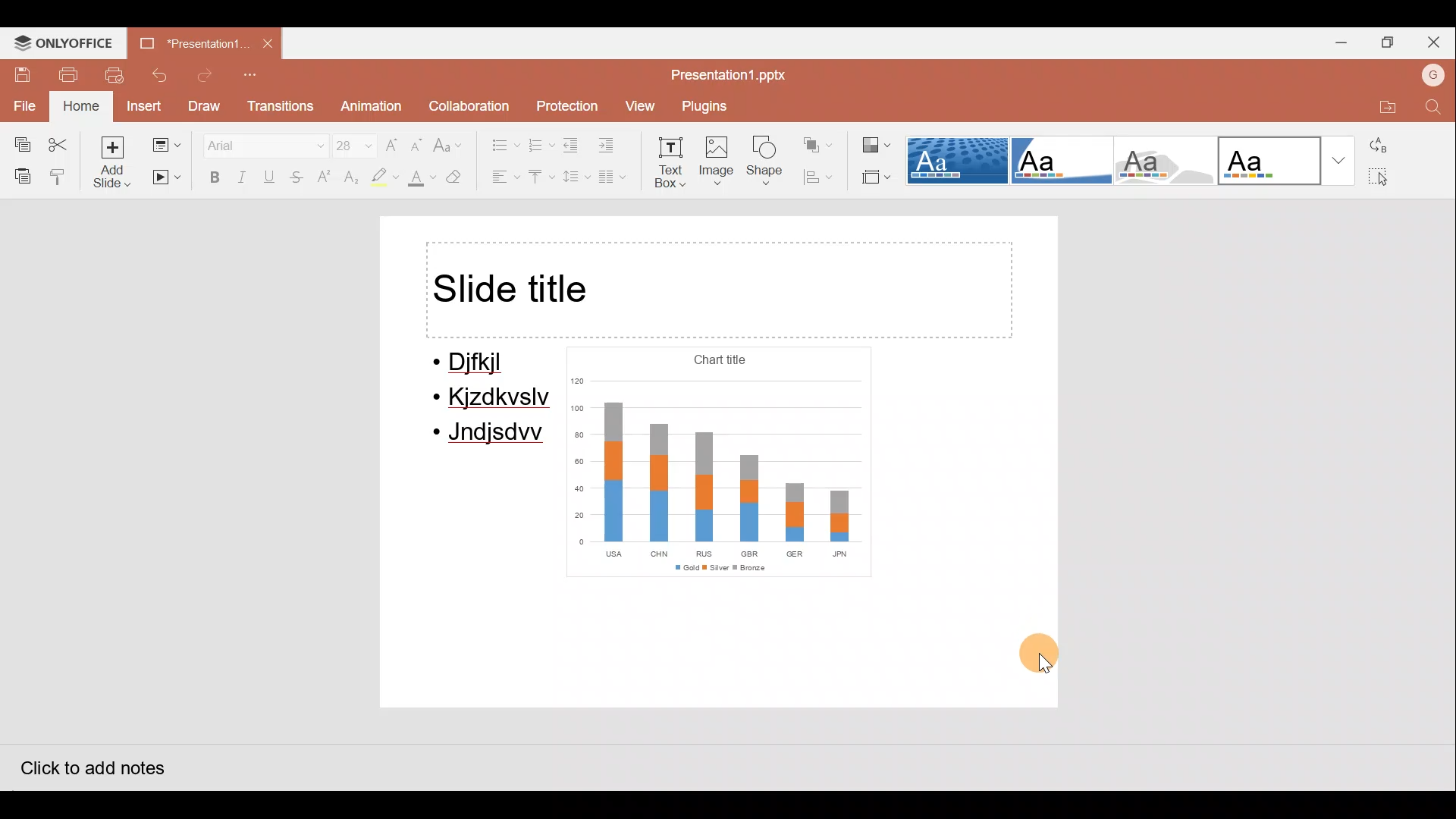 The width and height of the screenshot is (1456, 819). I want to click on Save, so click(14, 74).